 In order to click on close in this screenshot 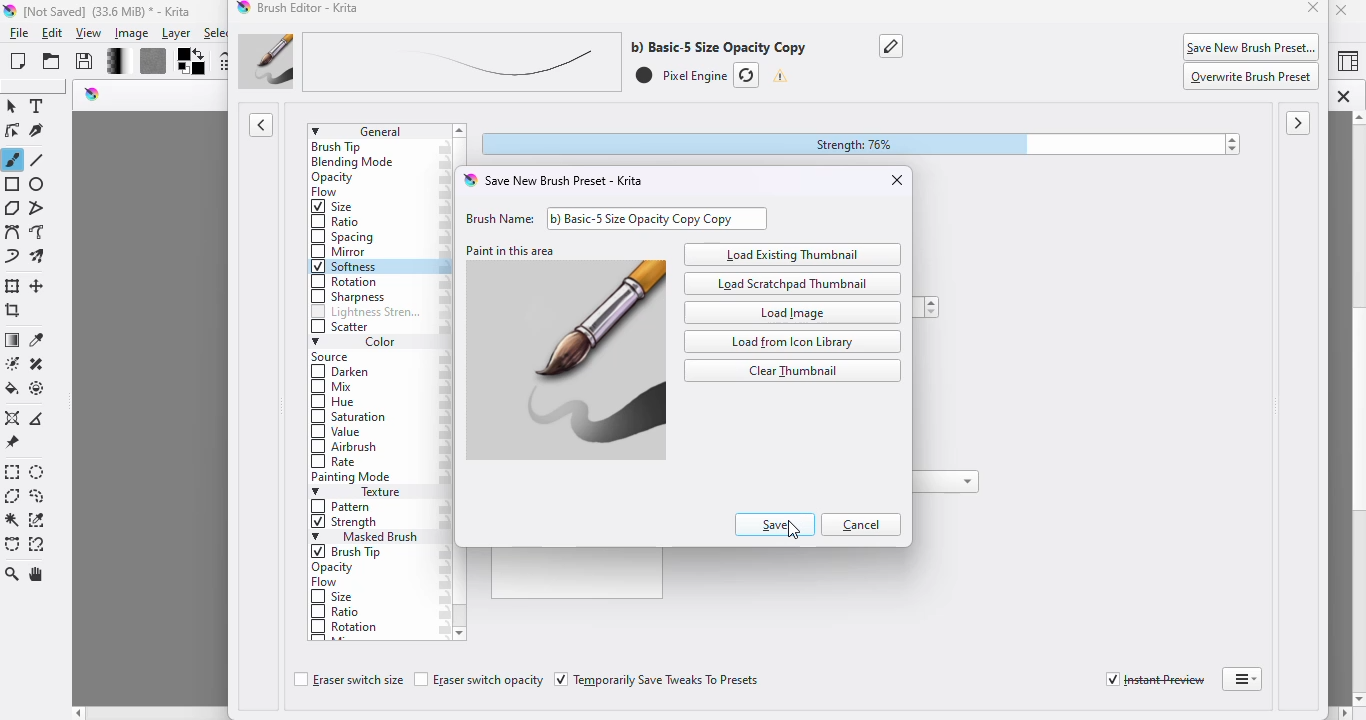, I will do `click(1343, 10)`.